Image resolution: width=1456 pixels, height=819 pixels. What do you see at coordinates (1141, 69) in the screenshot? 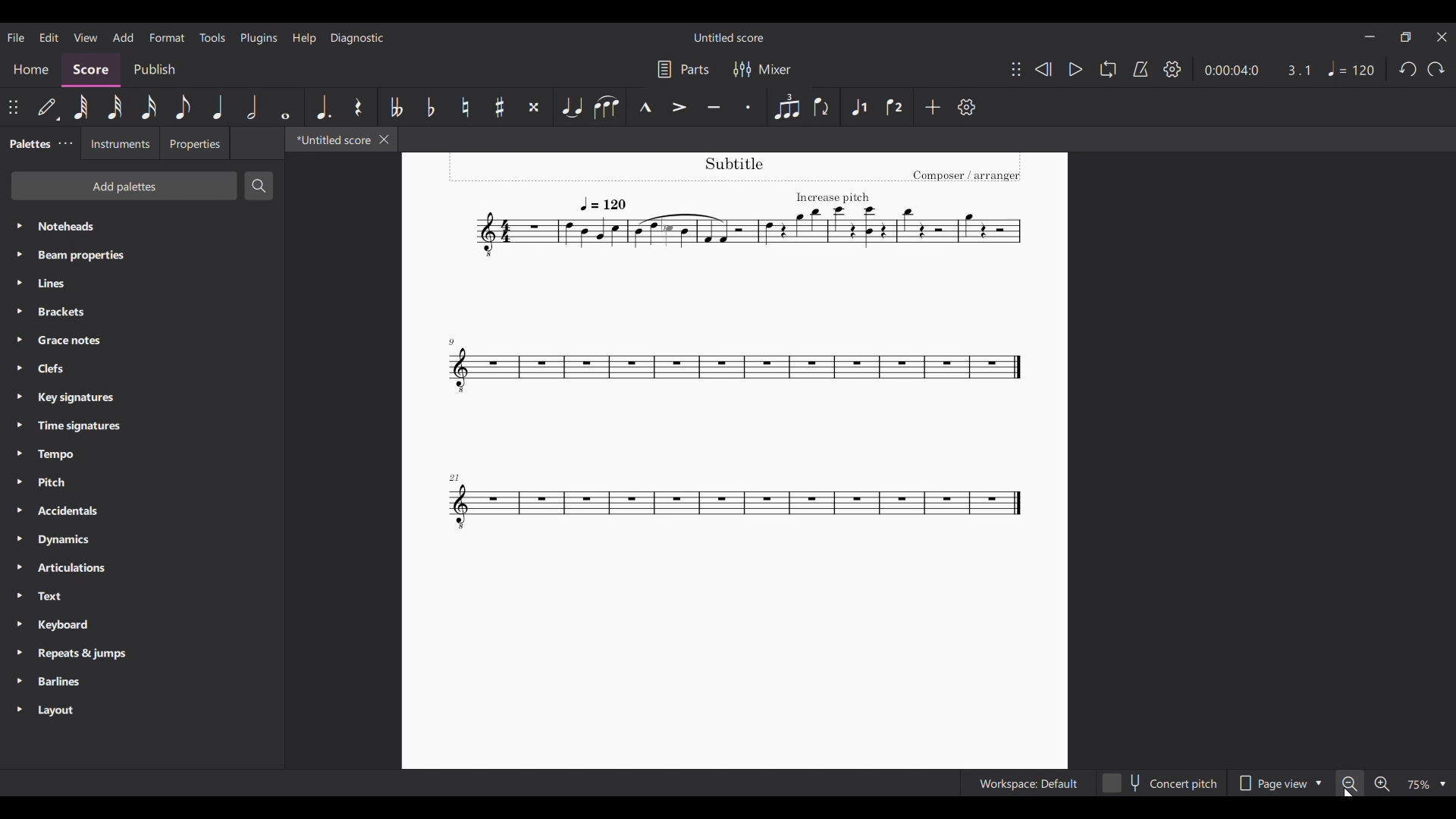
I see `Metronome` at bounding box center [1141, 69].